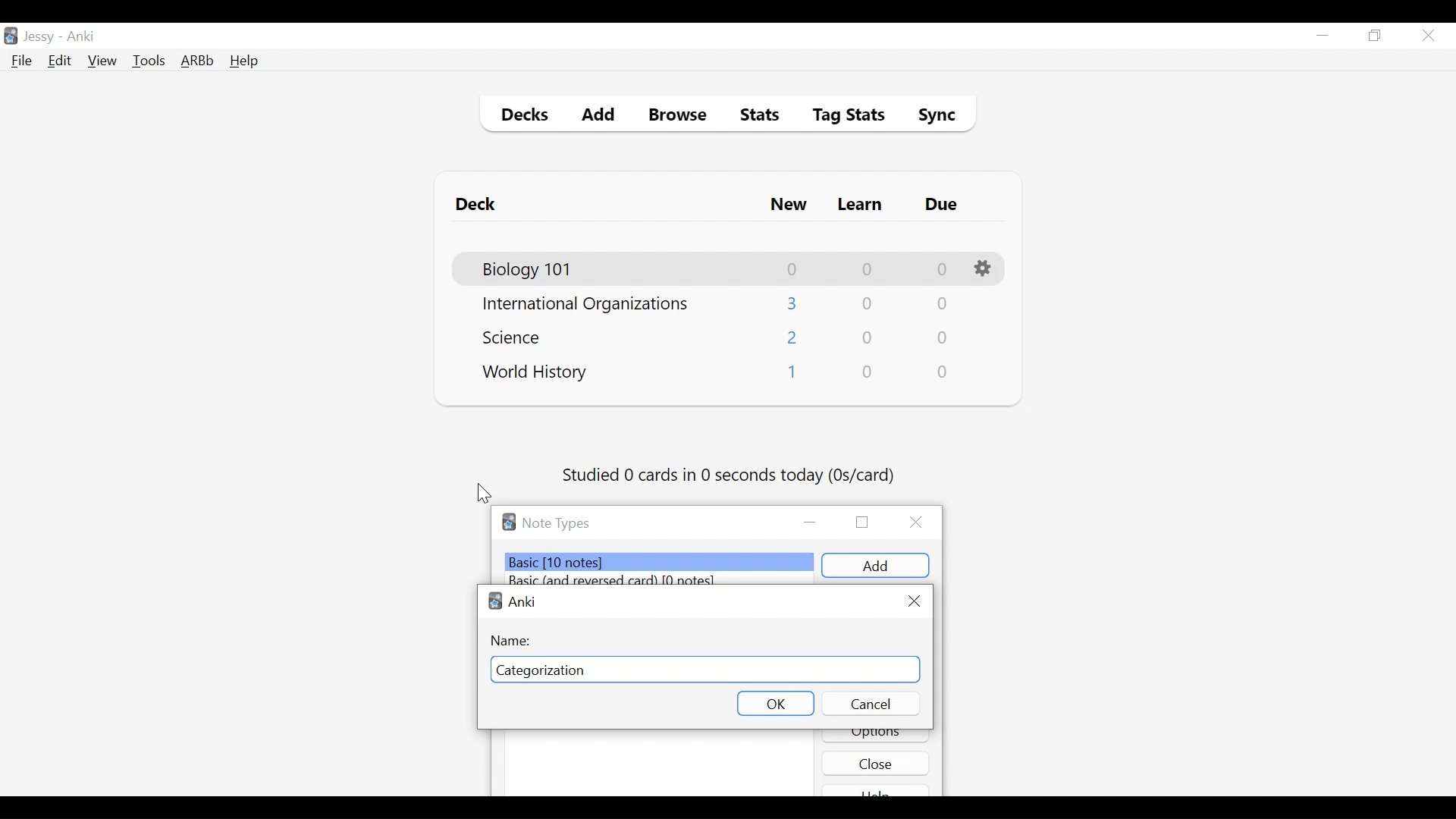 This screenshot has width=1456, height=819. I want to click on New Card Count, so click(793, 269).